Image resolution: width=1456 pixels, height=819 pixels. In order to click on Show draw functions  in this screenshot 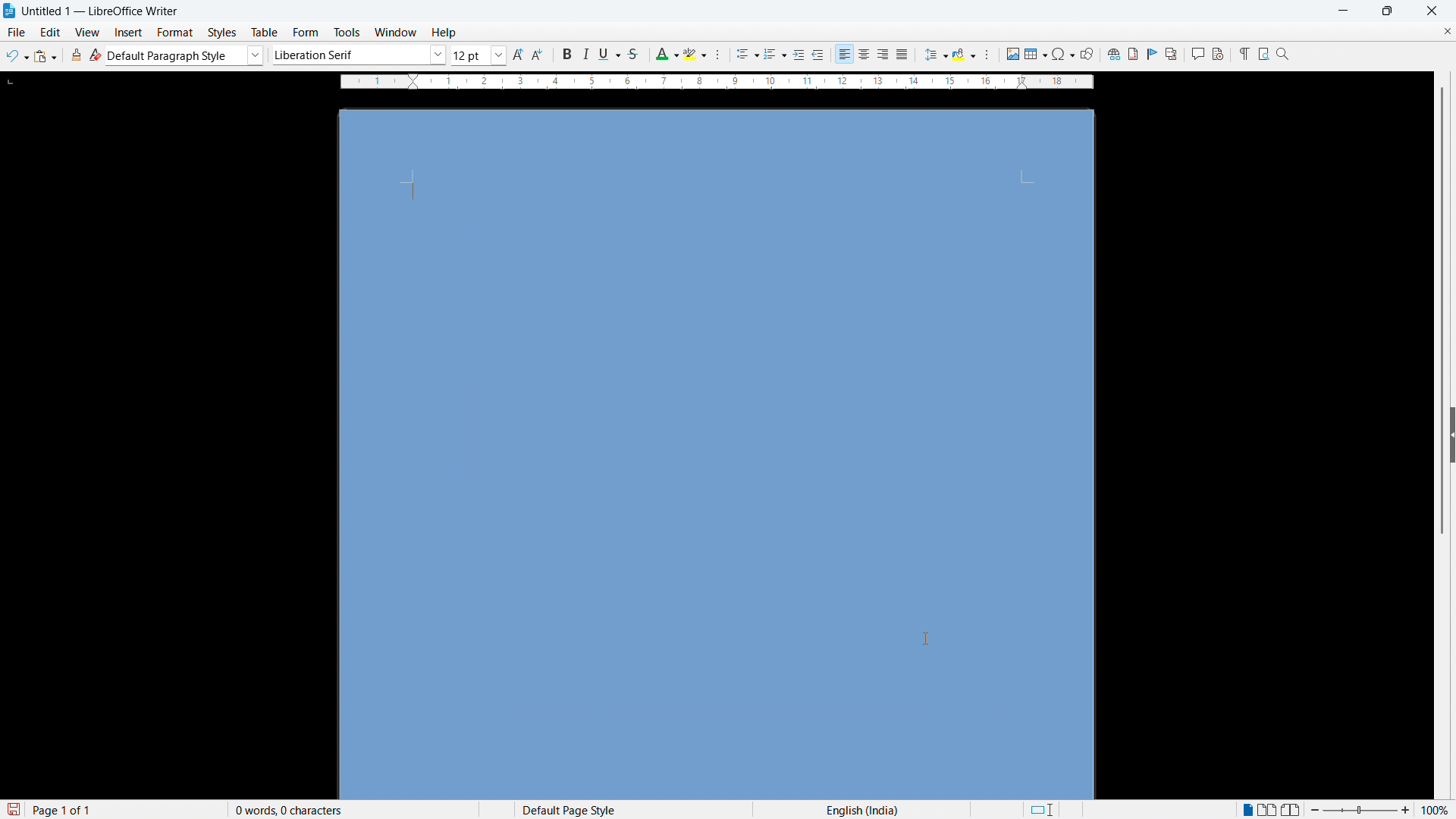, I will do `click(1087, 54)`.